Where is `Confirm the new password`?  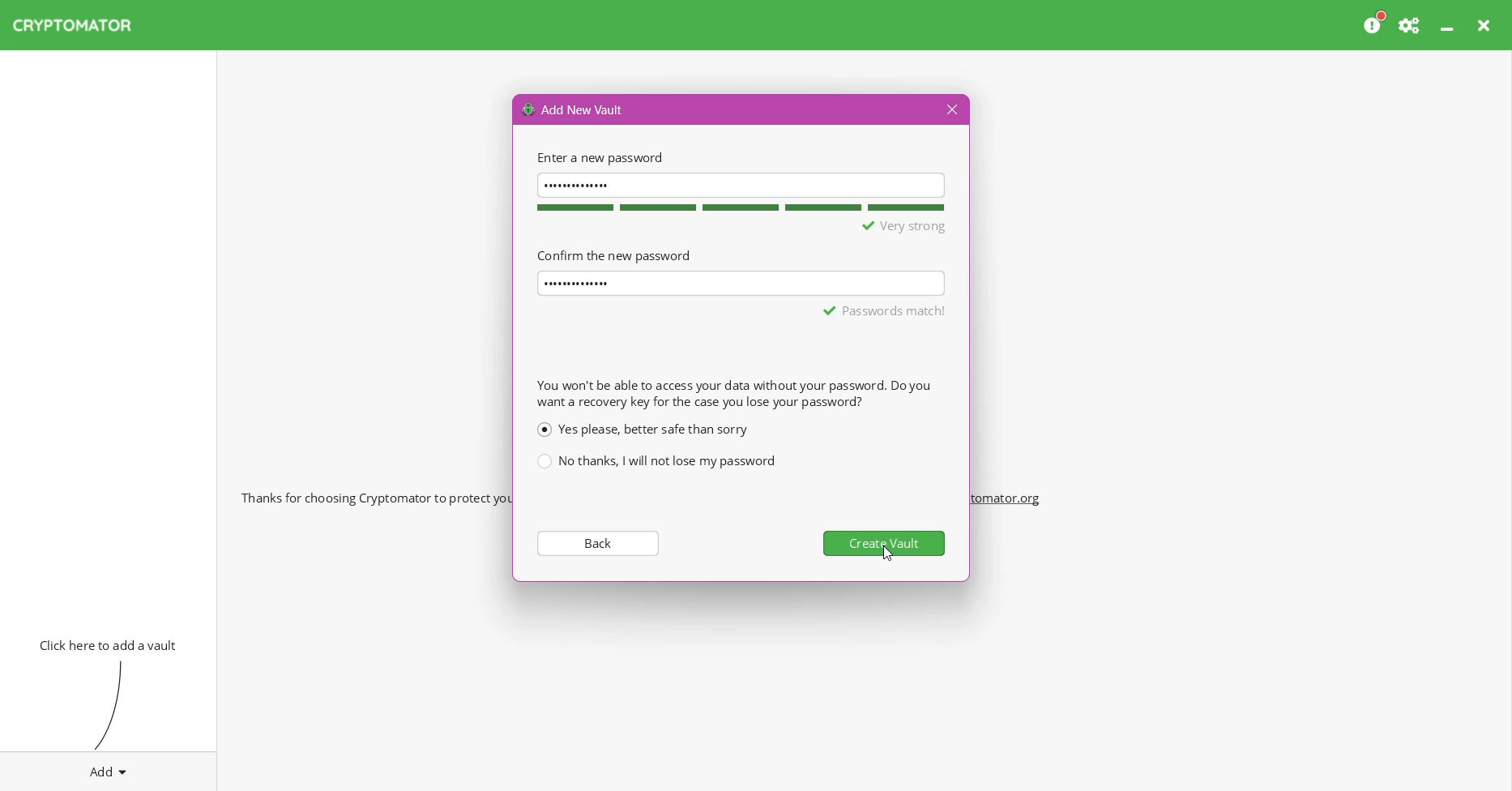 Confirm the new password is located at coordinates (613, 254).